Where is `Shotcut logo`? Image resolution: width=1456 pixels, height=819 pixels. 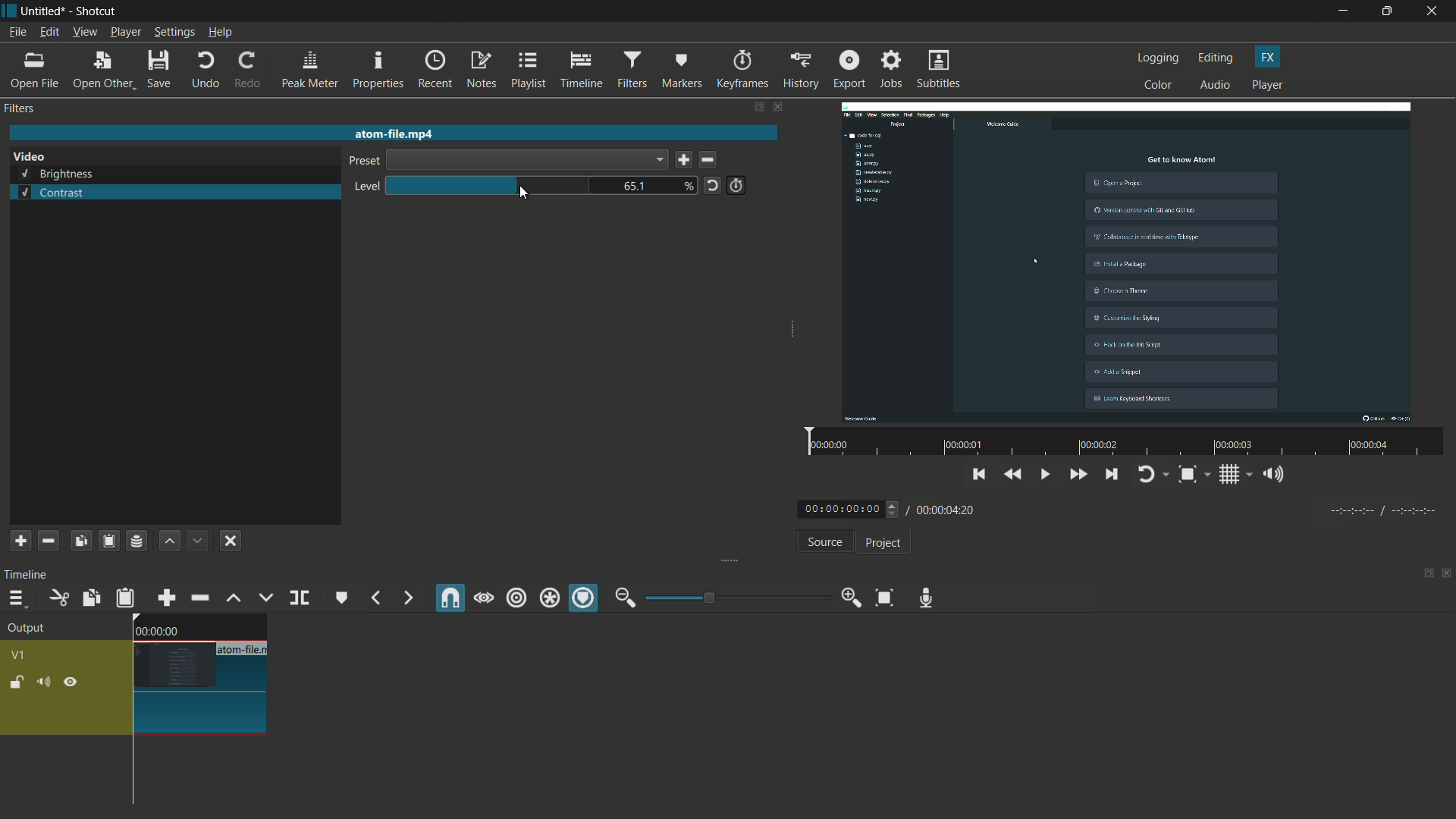 Shotcut logo is located at coordinates (9, 11).